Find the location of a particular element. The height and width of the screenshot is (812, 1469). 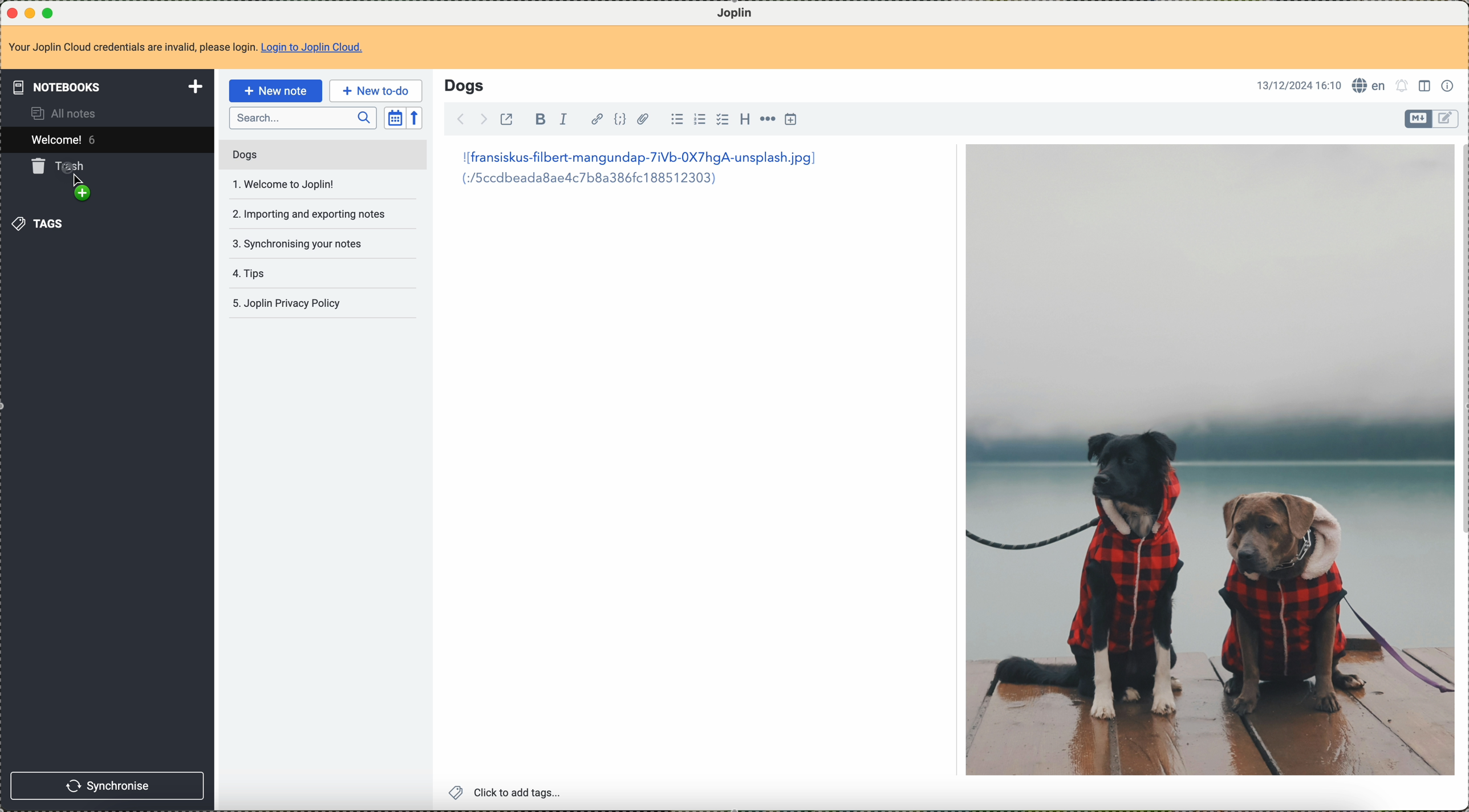

image is located at coordinates (1208, 460).